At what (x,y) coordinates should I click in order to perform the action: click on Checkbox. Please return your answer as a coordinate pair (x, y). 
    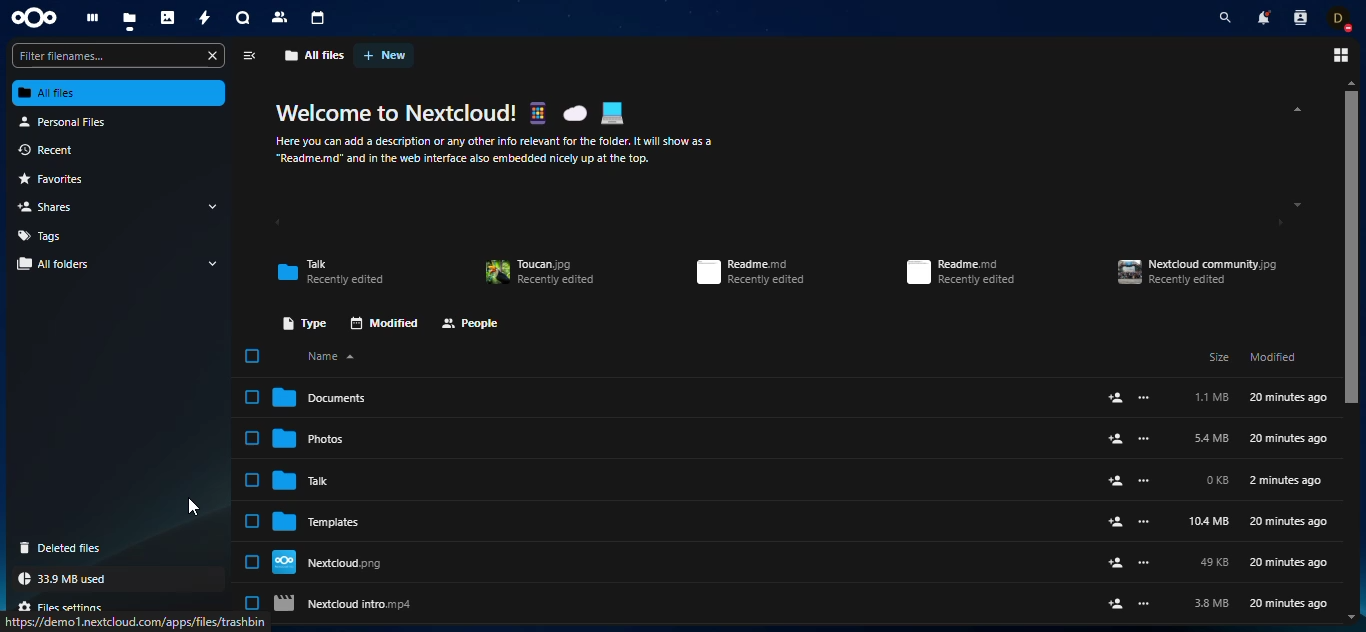
    Looking at the image, I should click on (250, 601).